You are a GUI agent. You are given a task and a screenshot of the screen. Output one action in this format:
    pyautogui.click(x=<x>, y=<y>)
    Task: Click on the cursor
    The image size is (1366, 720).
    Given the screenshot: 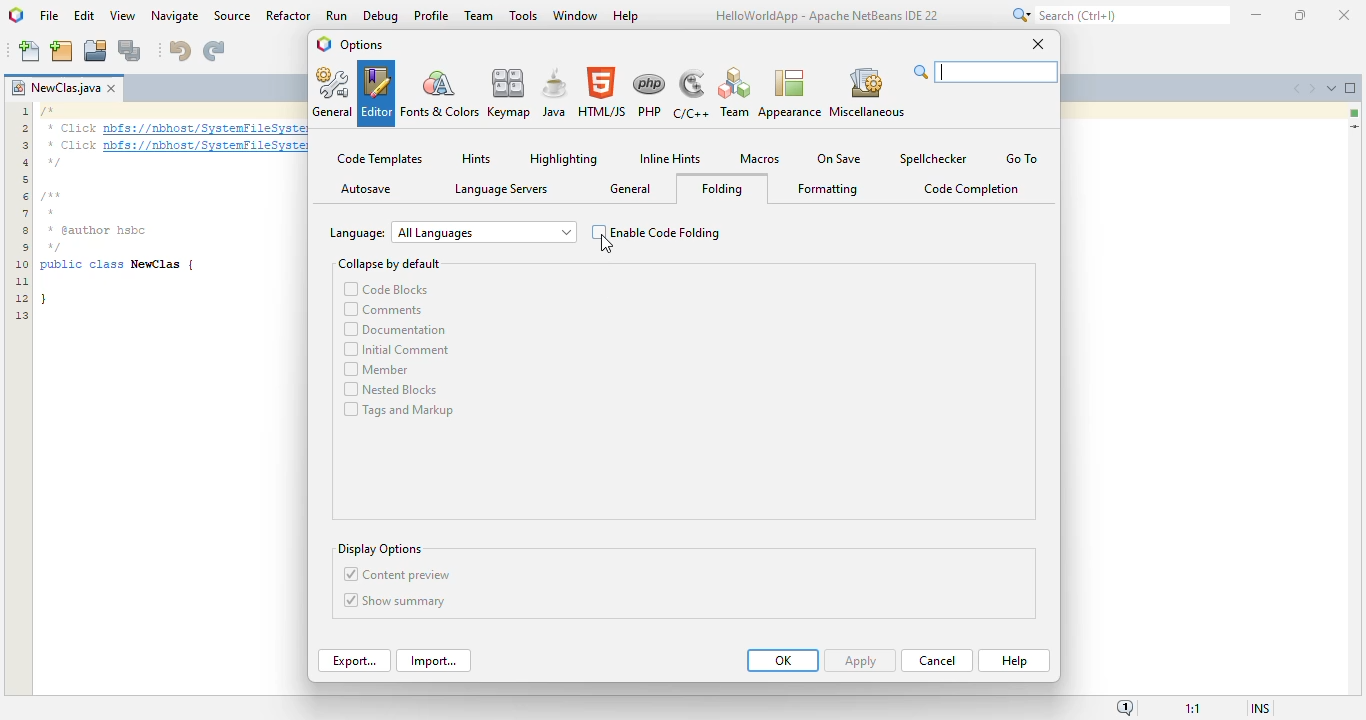 What is the action you would take?
    pyautogui.click(x=607, y=244)
    